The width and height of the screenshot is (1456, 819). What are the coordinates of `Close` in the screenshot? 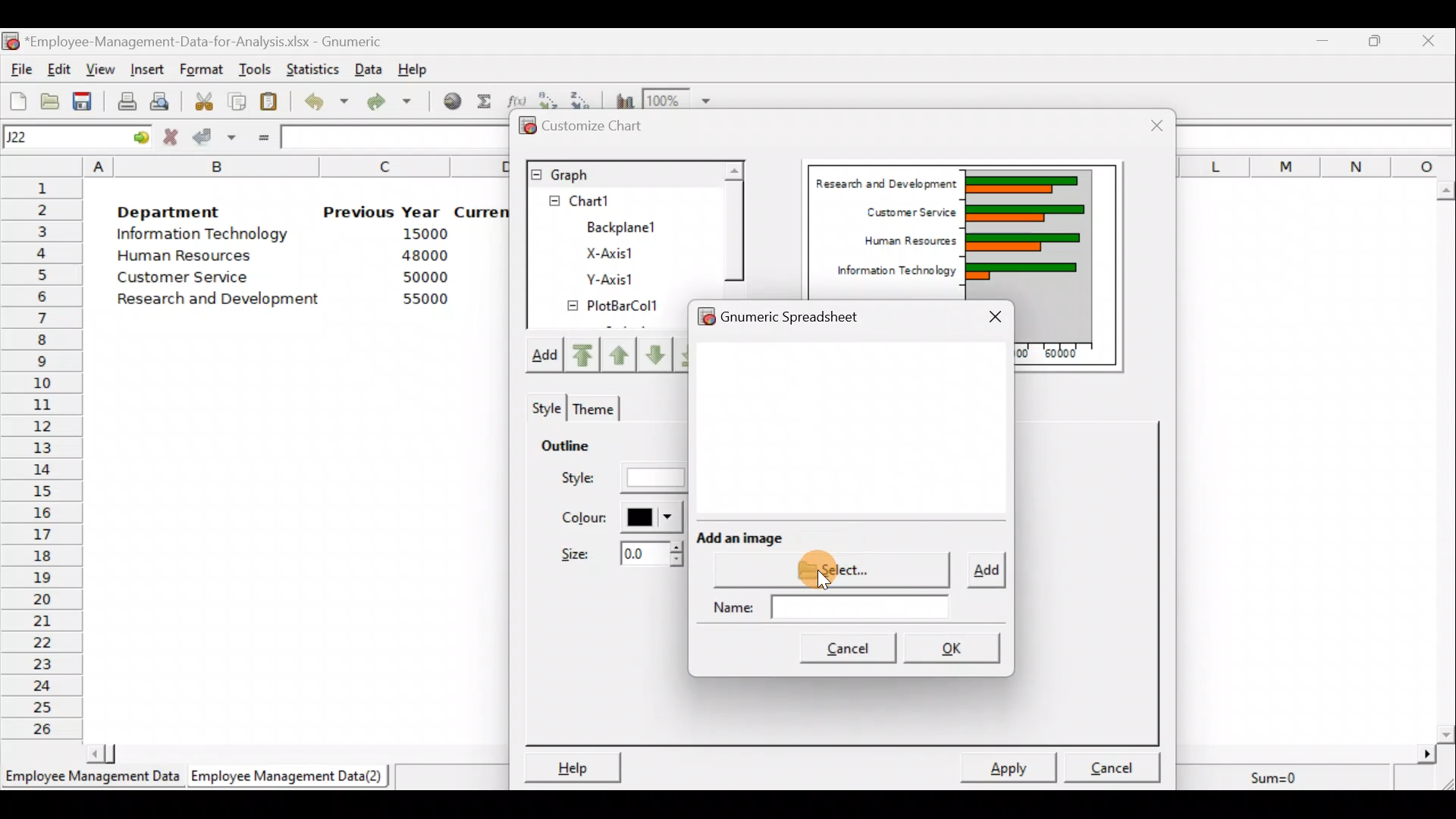 It's located at (1147, 124).